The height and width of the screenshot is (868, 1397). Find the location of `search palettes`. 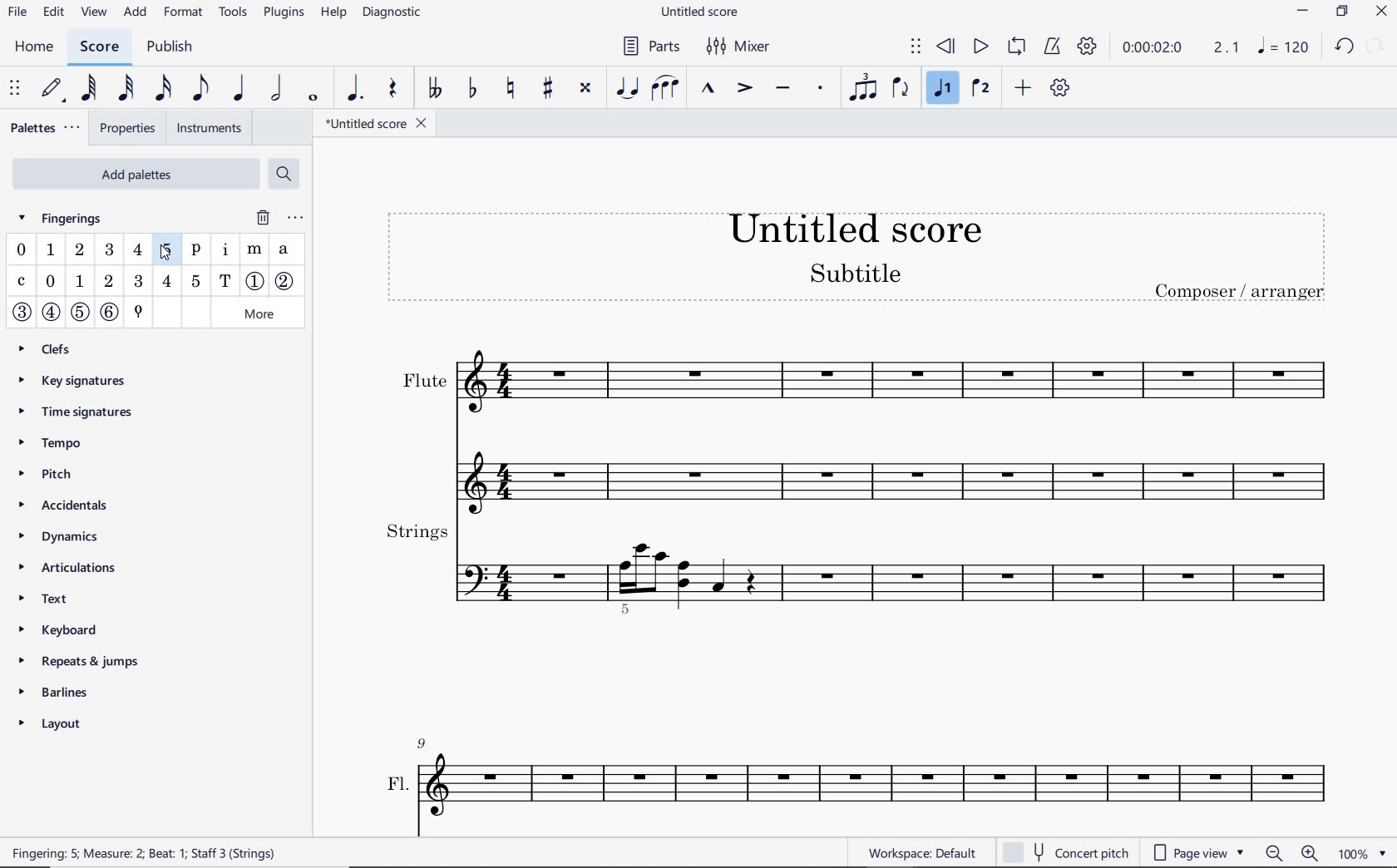

search palettes is located at coordinates (285, 176).